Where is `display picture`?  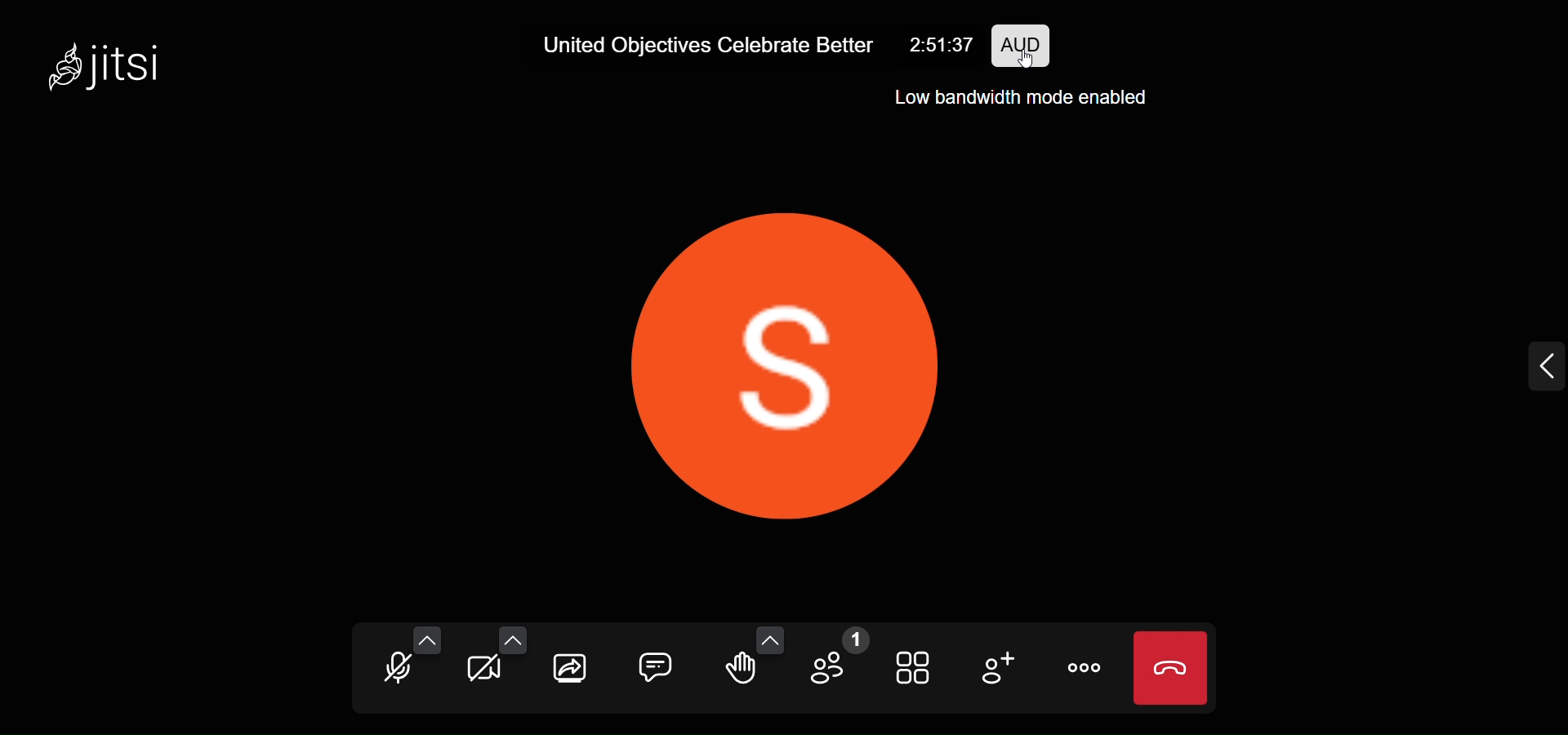
display picture is located at coordinates (781, 360).